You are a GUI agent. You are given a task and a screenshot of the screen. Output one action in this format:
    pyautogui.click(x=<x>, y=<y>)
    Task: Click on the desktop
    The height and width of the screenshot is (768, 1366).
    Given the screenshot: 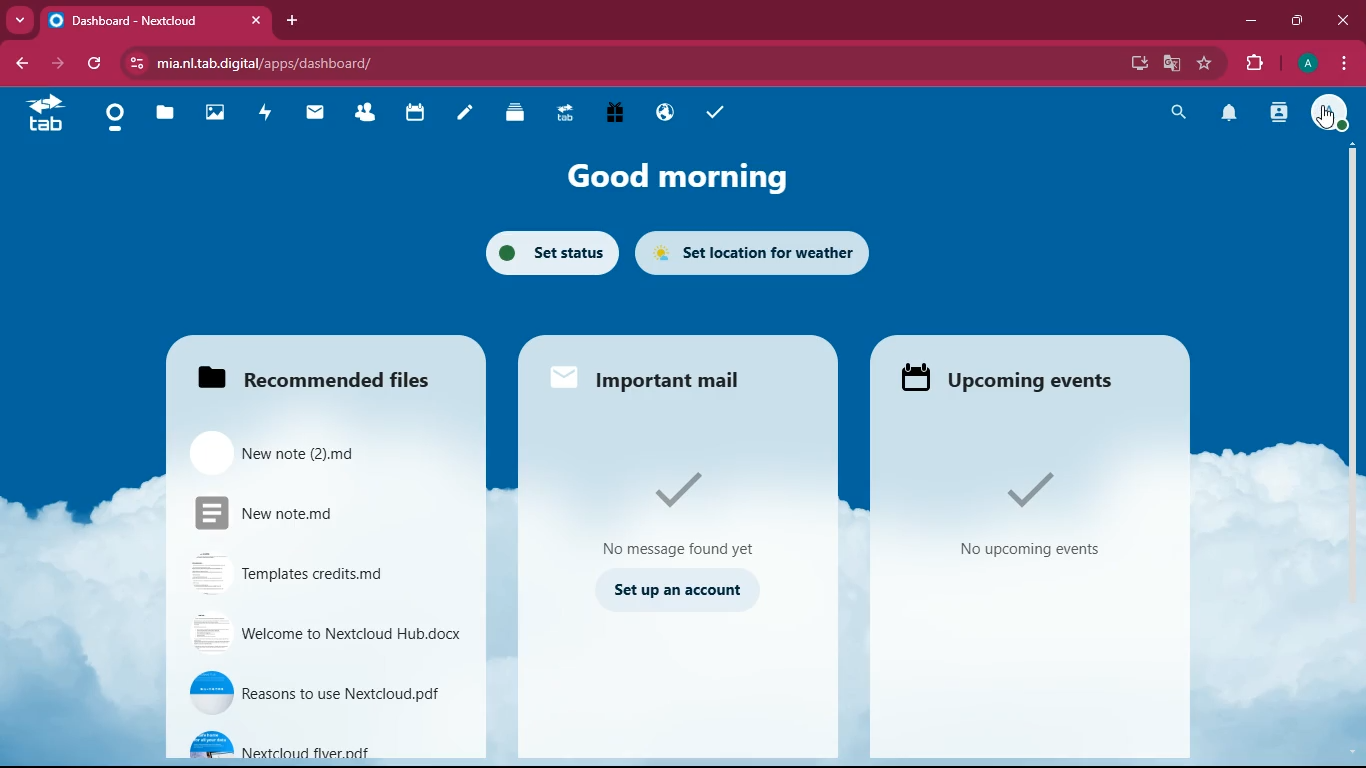 What is the action you would take?
    pyautogui.click(x=1134, y=65)
    